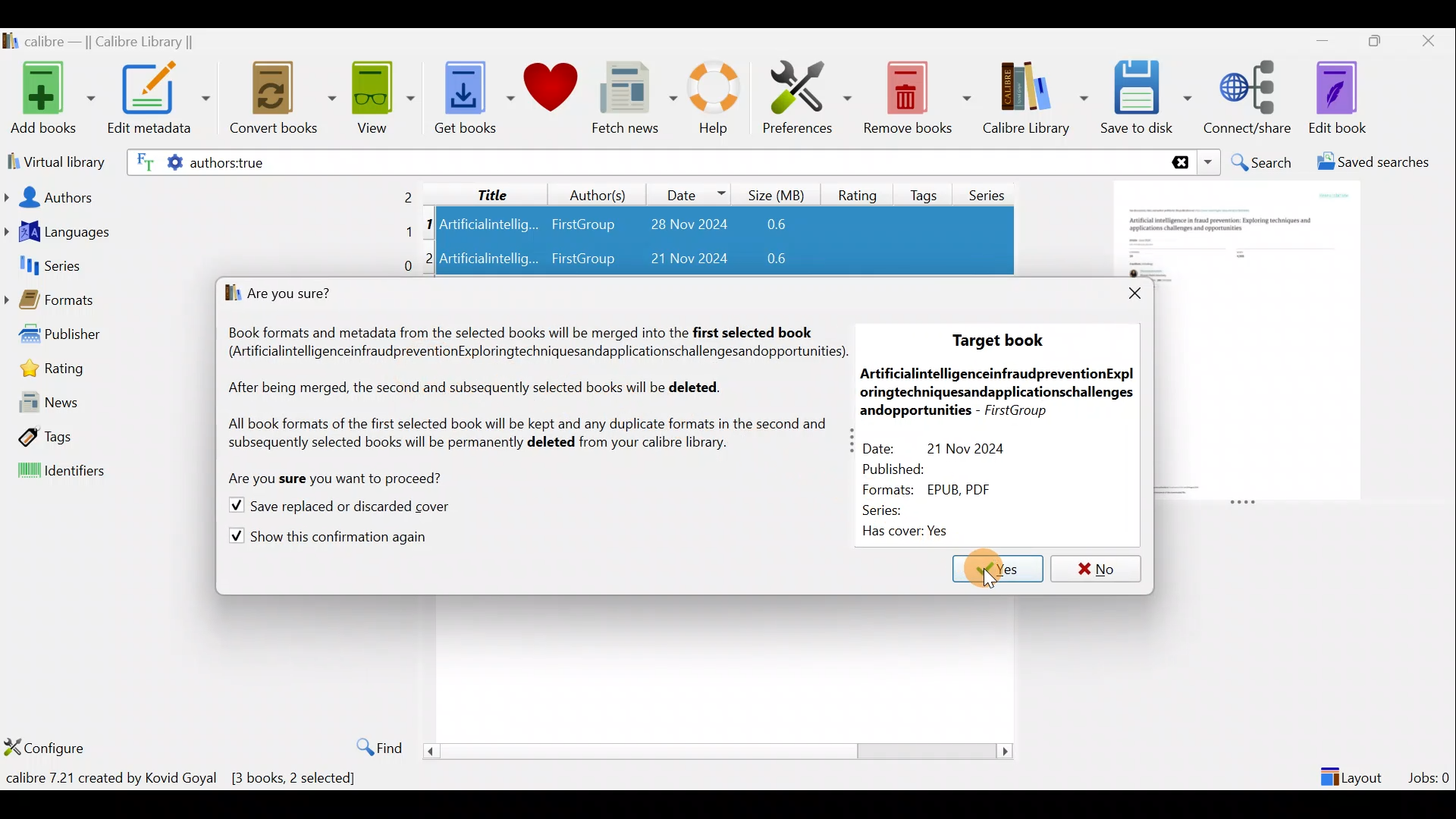  What do you see at coordinates (526, 436) in the screenshot?
I see `All book formats of the first selected book will be kept and any duplicate formats in the second and
subsequently selected books will be permanently deleted from your calibre library.` at bounding box center [526, 436].